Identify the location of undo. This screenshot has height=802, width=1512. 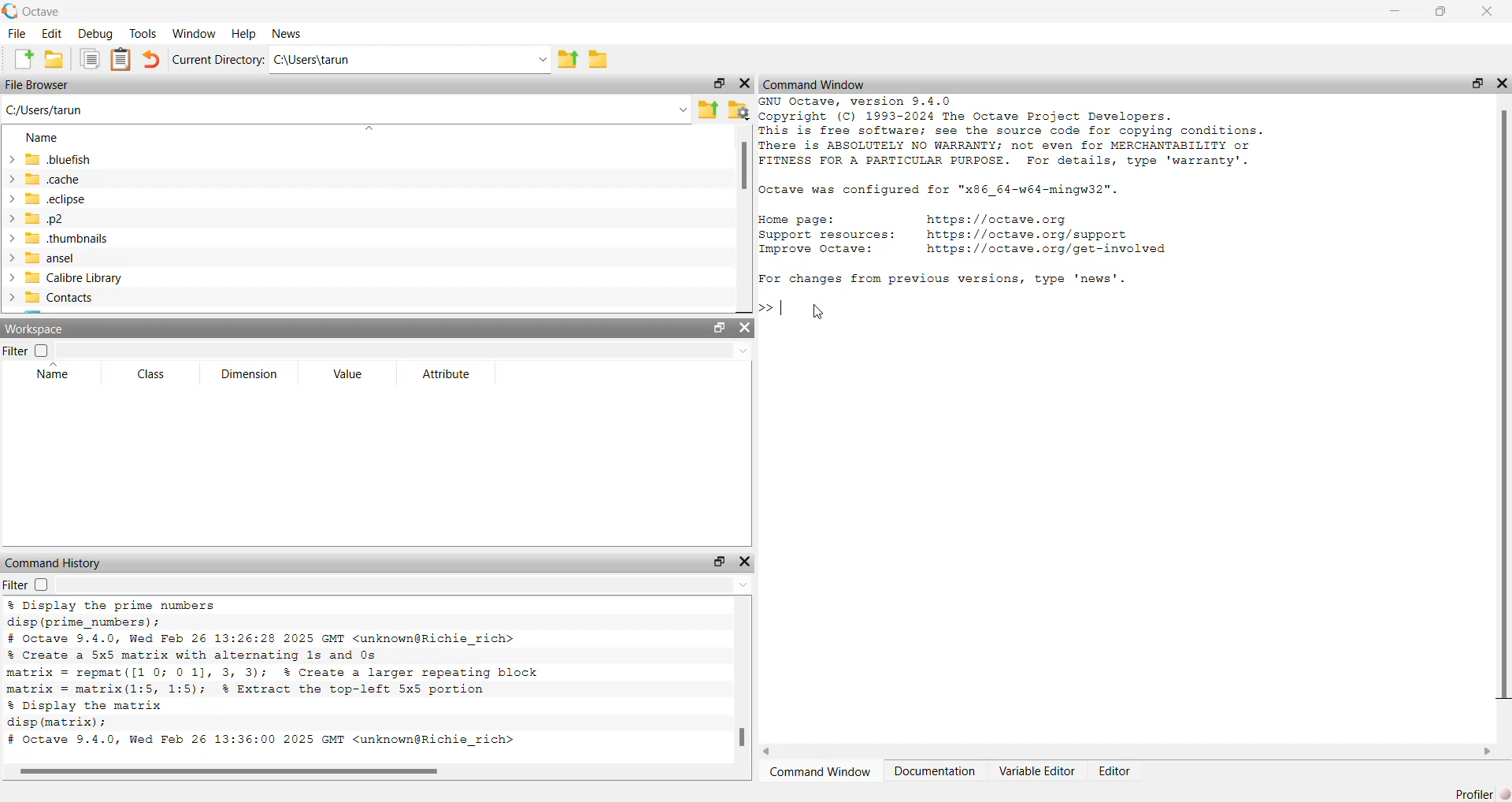
(151, 59).